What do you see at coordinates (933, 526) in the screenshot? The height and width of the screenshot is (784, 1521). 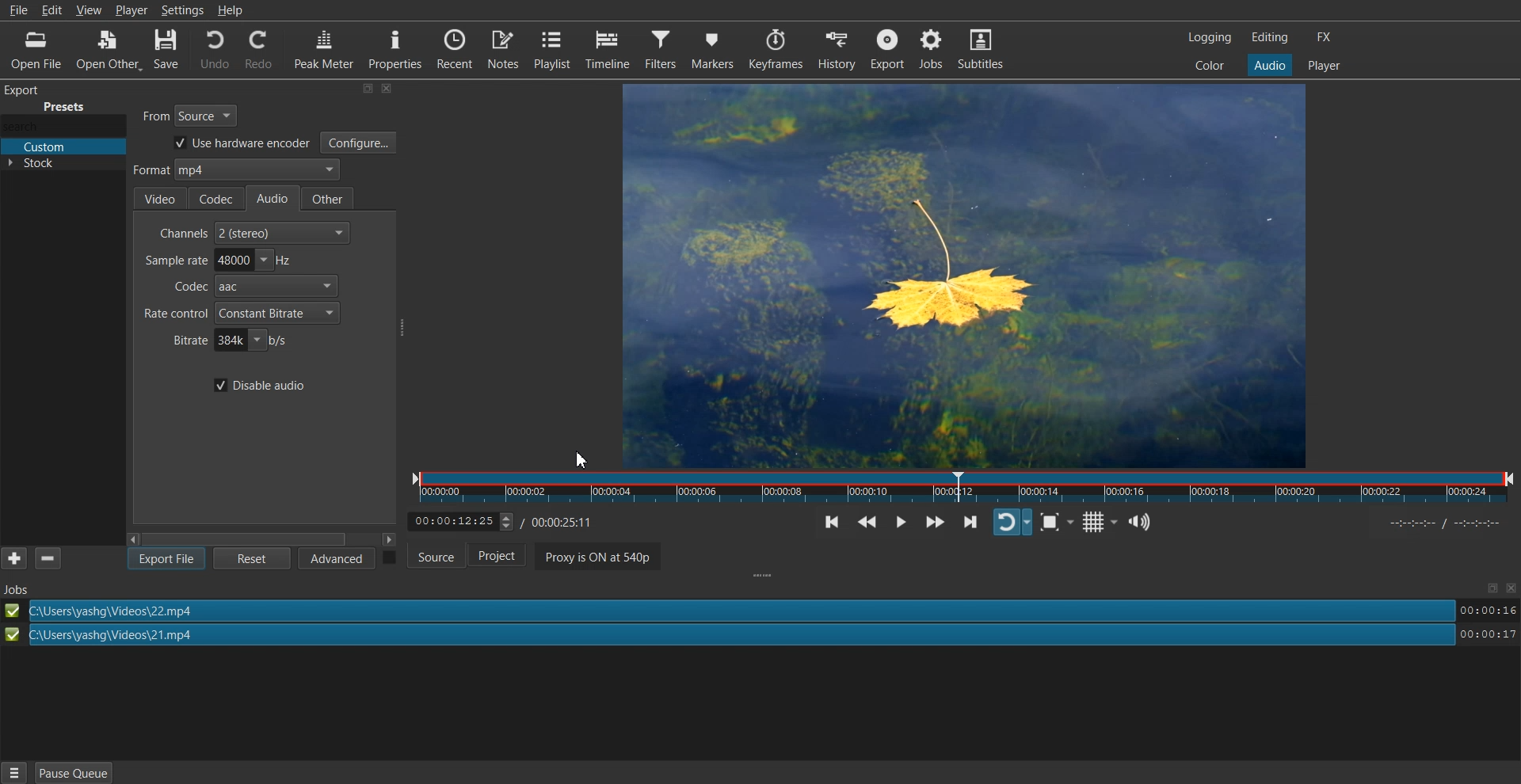 I see `Play quickly forwards` at bounding box center [933, 526].